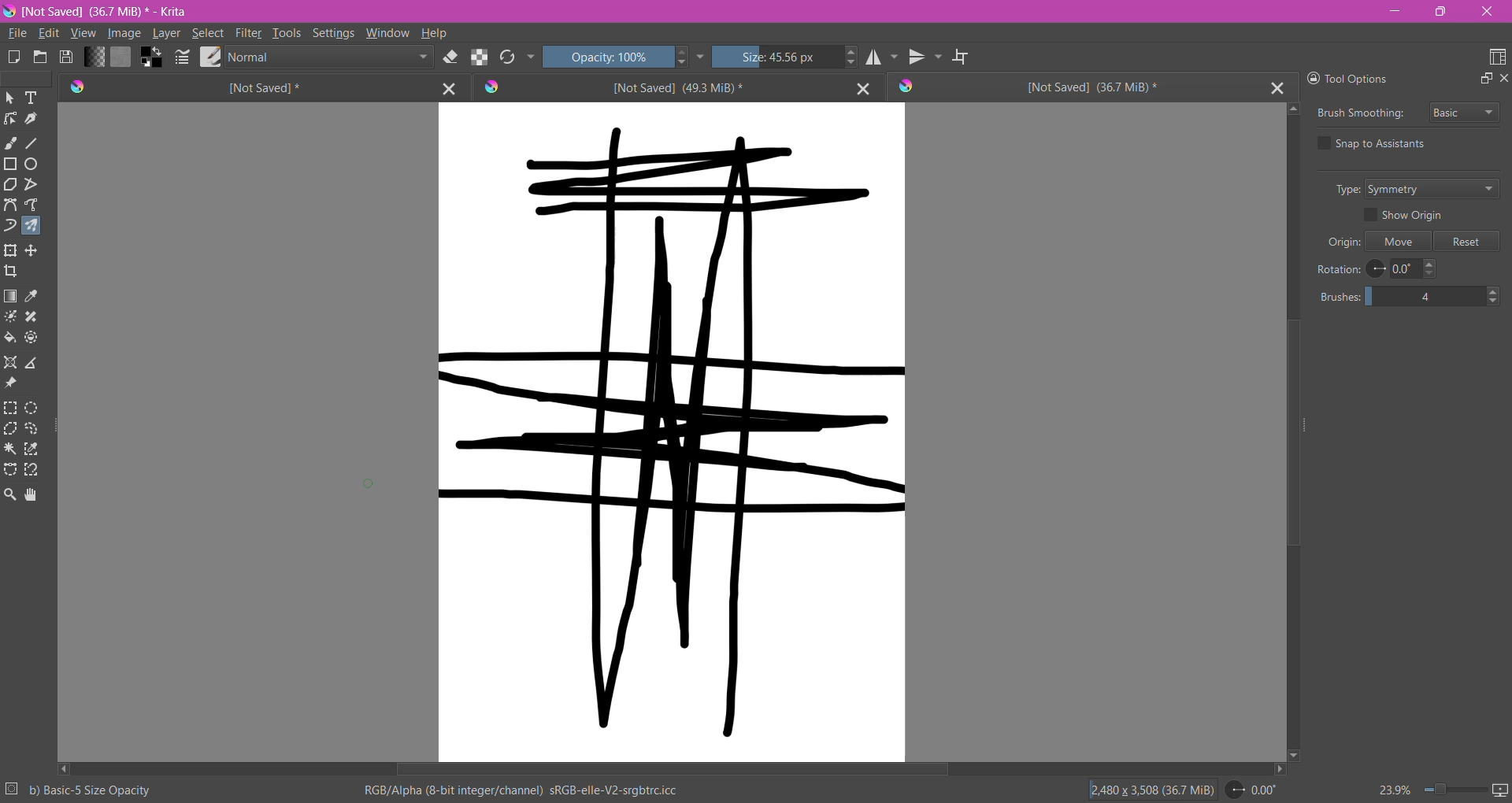 This screenshot has height=803, width=1512. What do you see at coordinates (10, 98) in the screenshot?
I see `Select Shapes Tool` at bounding box center [10, 98].